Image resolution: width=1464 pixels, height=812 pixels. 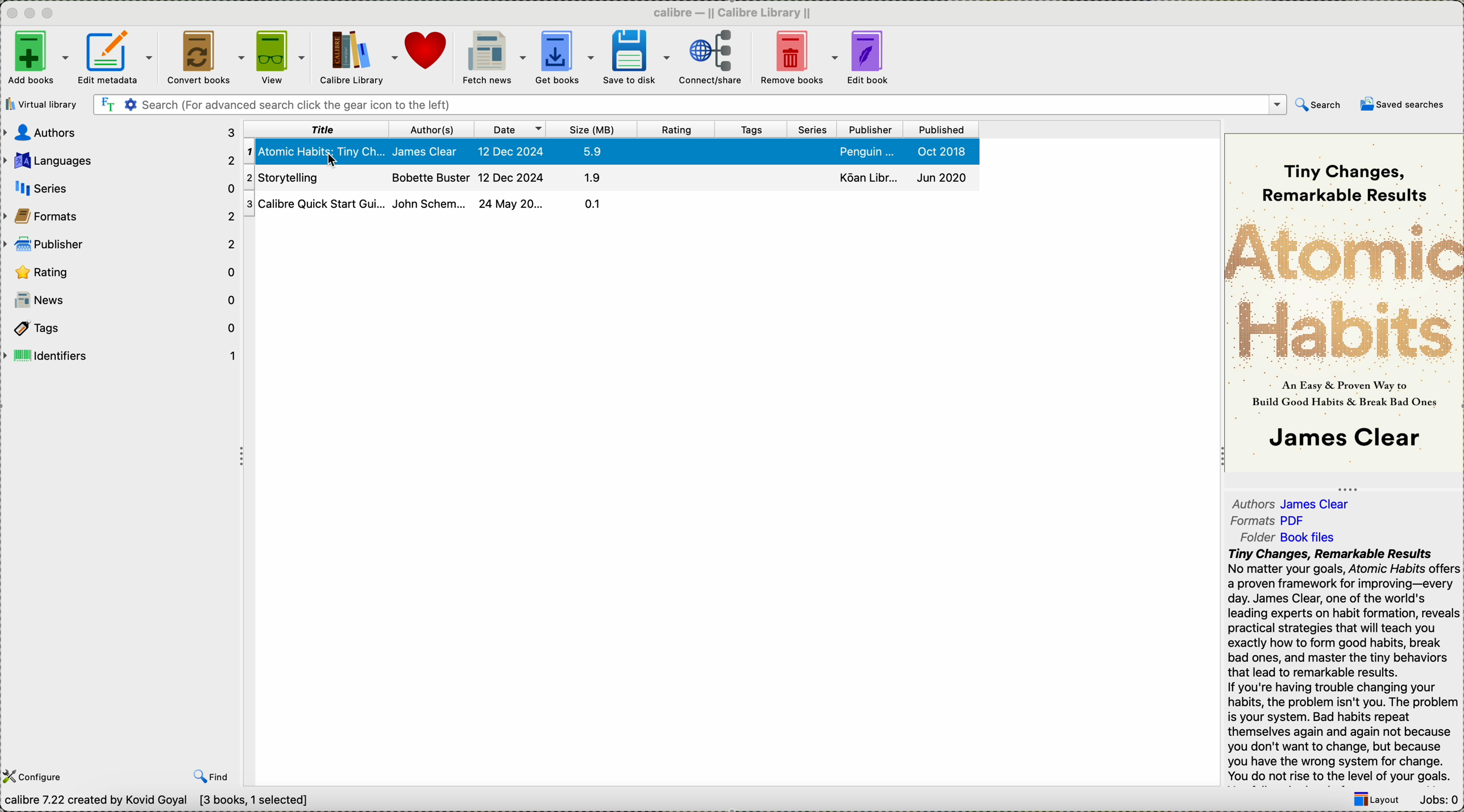 What do you see at coordinates (676, 130) in the screenshot?
I see `rating` at bounding box center [676, 130].